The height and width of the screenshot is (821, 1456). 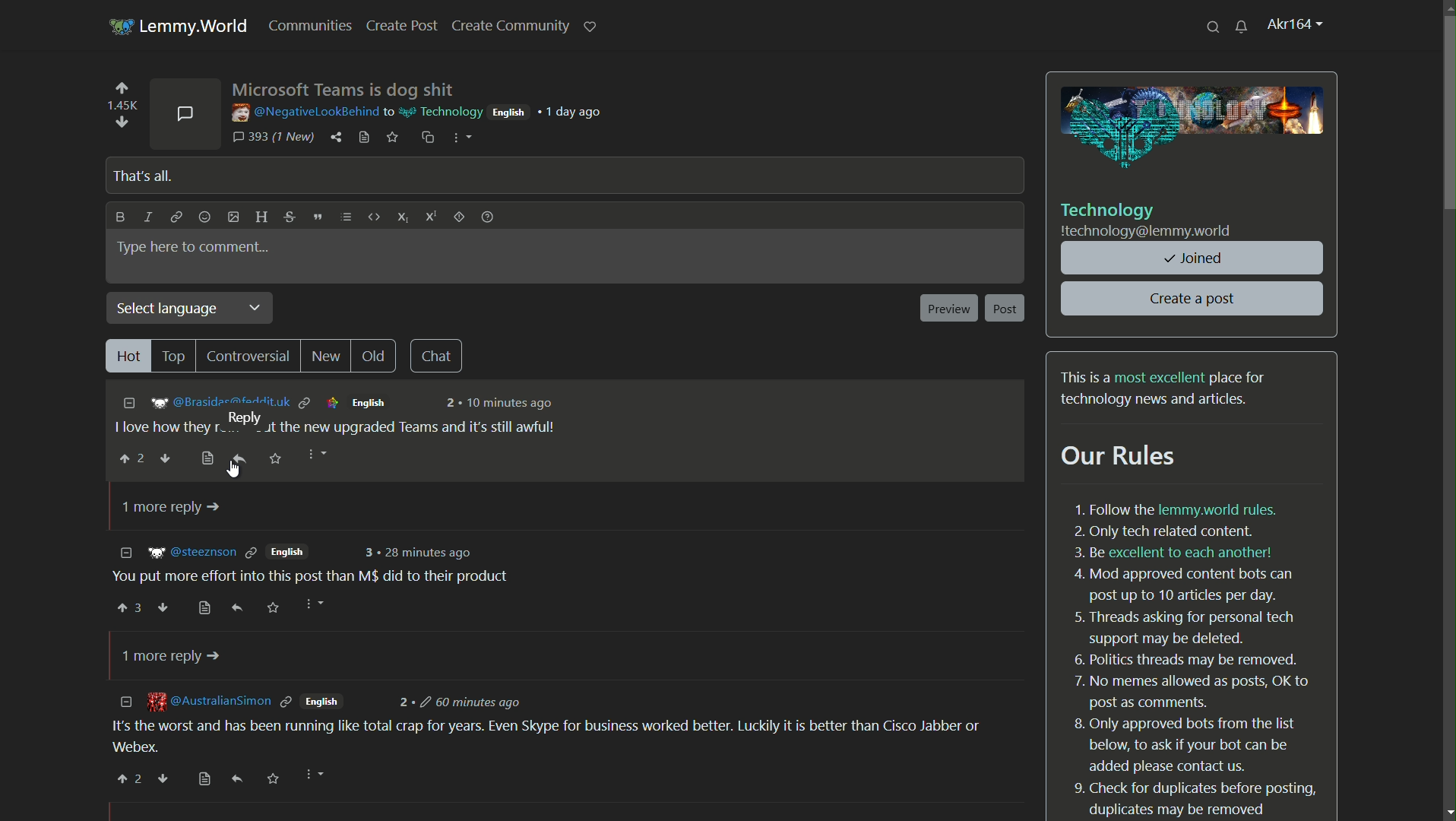 I want to click on save, so click(x=274, y=779).